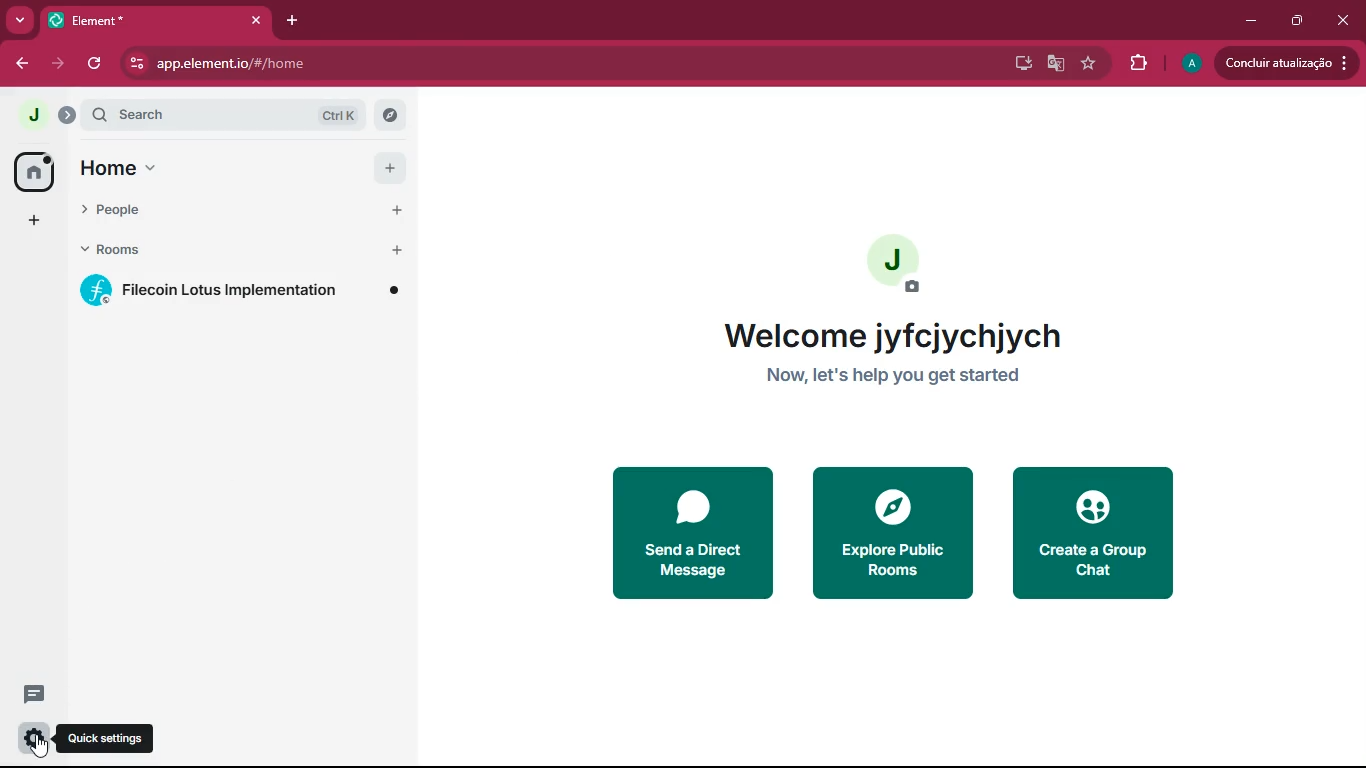 Image resolution: width=1366 pixels, height=768 pixels. What do you see at coordinates (236, 114) in the screenshot?
I see `search` at bounding box center [236, 114].